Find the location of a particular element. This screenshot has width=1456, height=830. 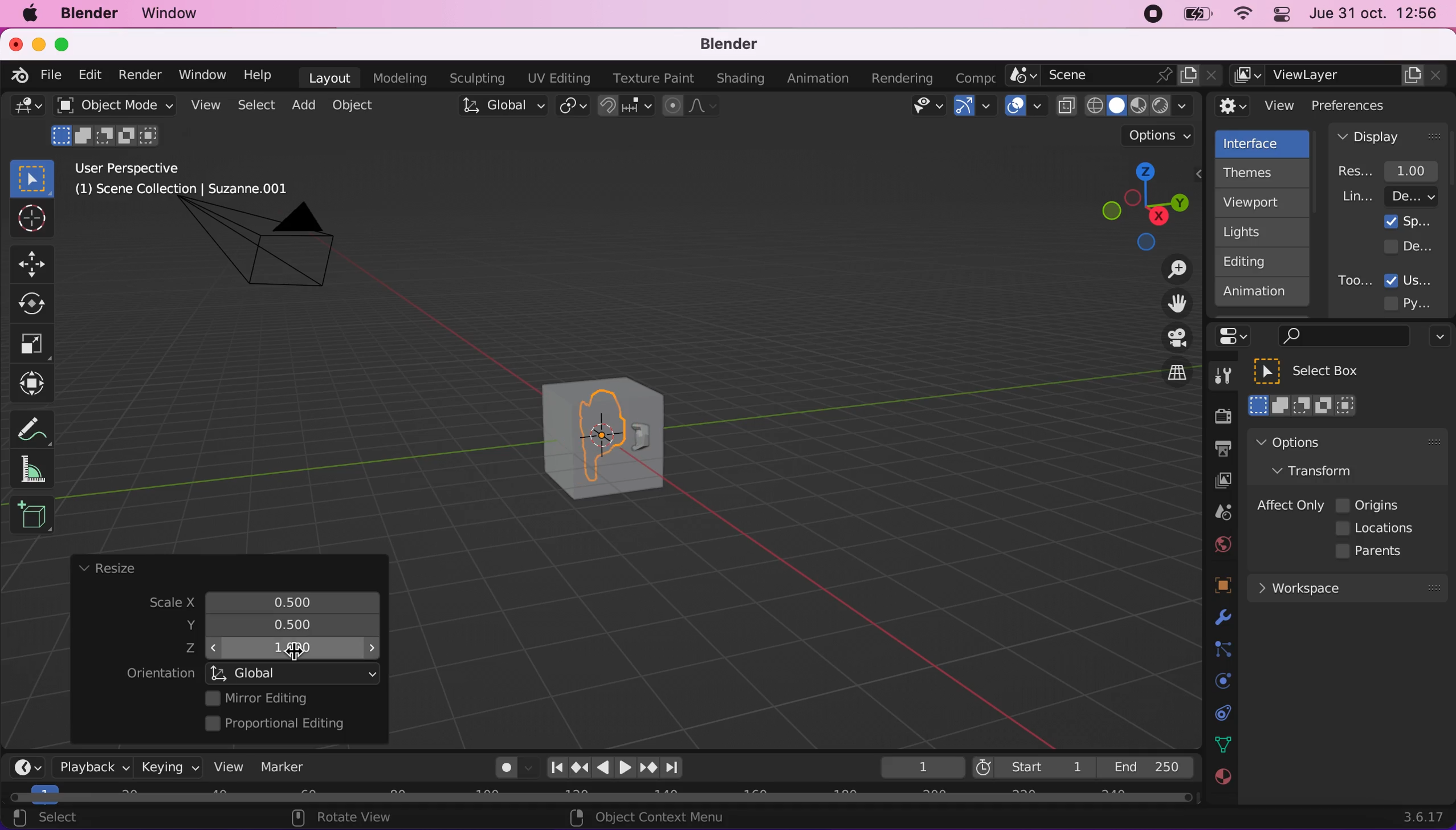

view object types is located at coordinates (925, 108).